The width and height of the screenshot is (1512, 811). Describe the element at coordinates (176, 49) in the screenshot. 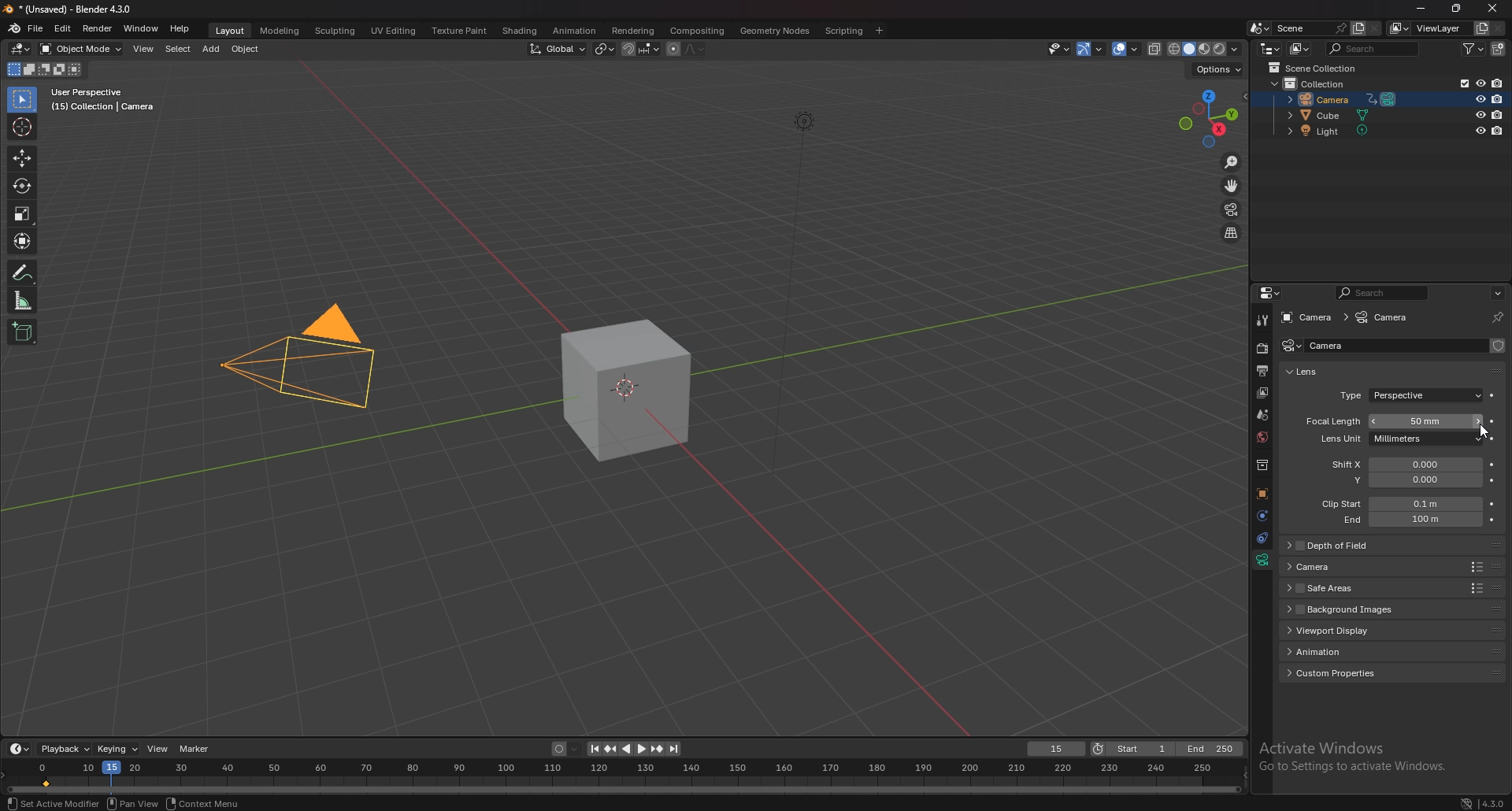

I see `select` at that location.